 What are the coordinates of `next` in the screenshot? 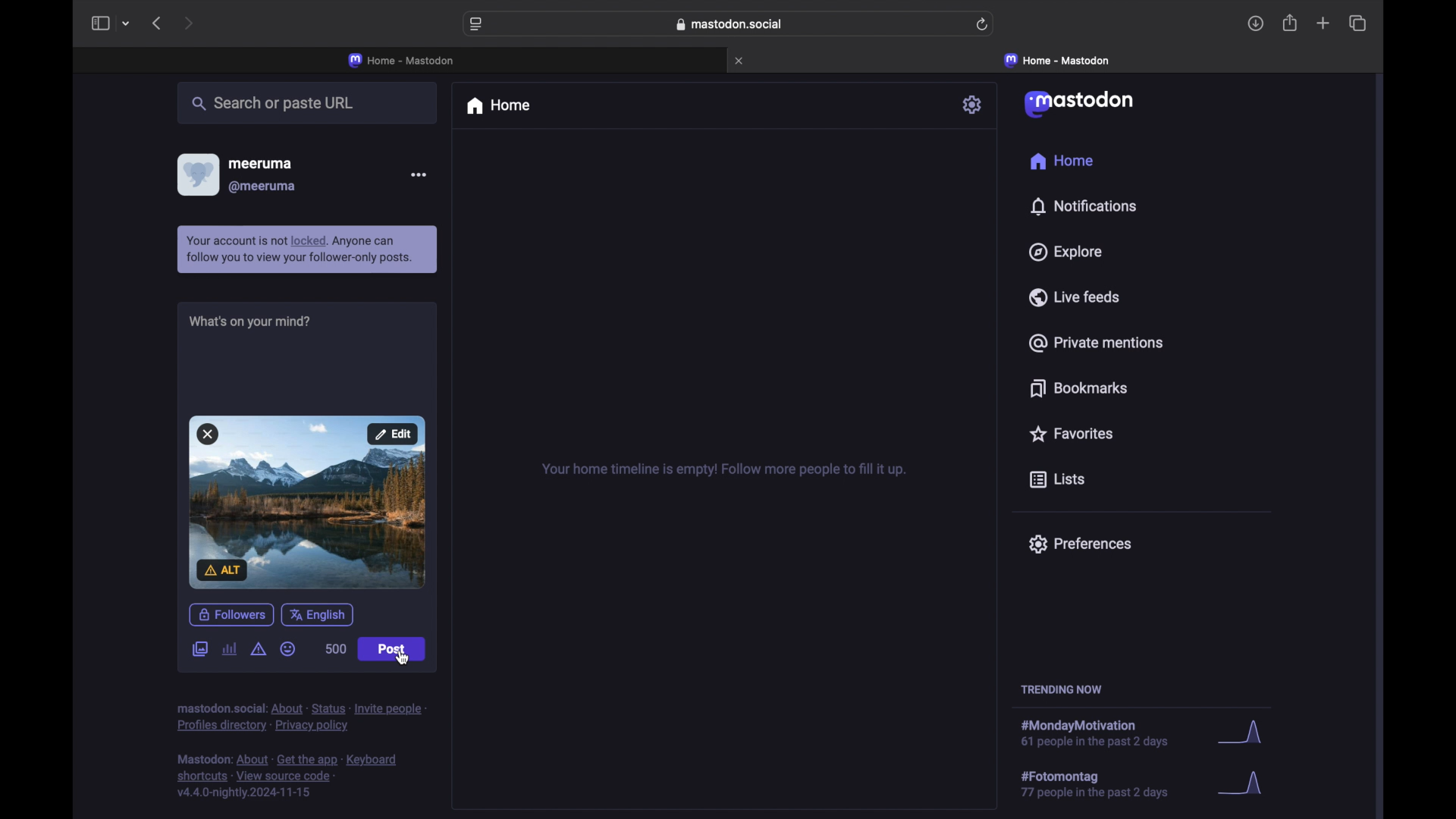 It's located at (190, 23).